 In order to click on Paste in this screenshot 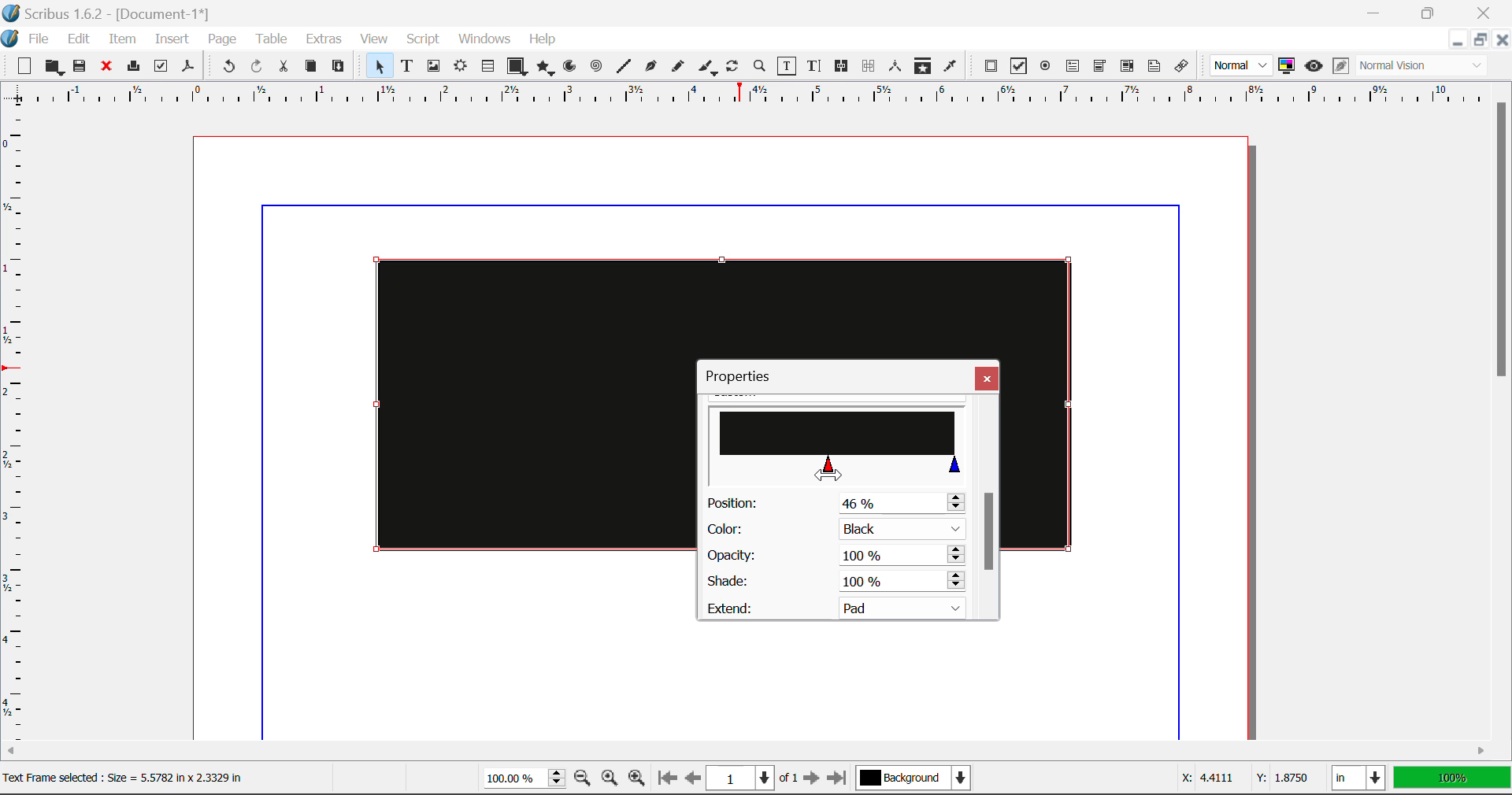, I will do `click(339, 67)`.